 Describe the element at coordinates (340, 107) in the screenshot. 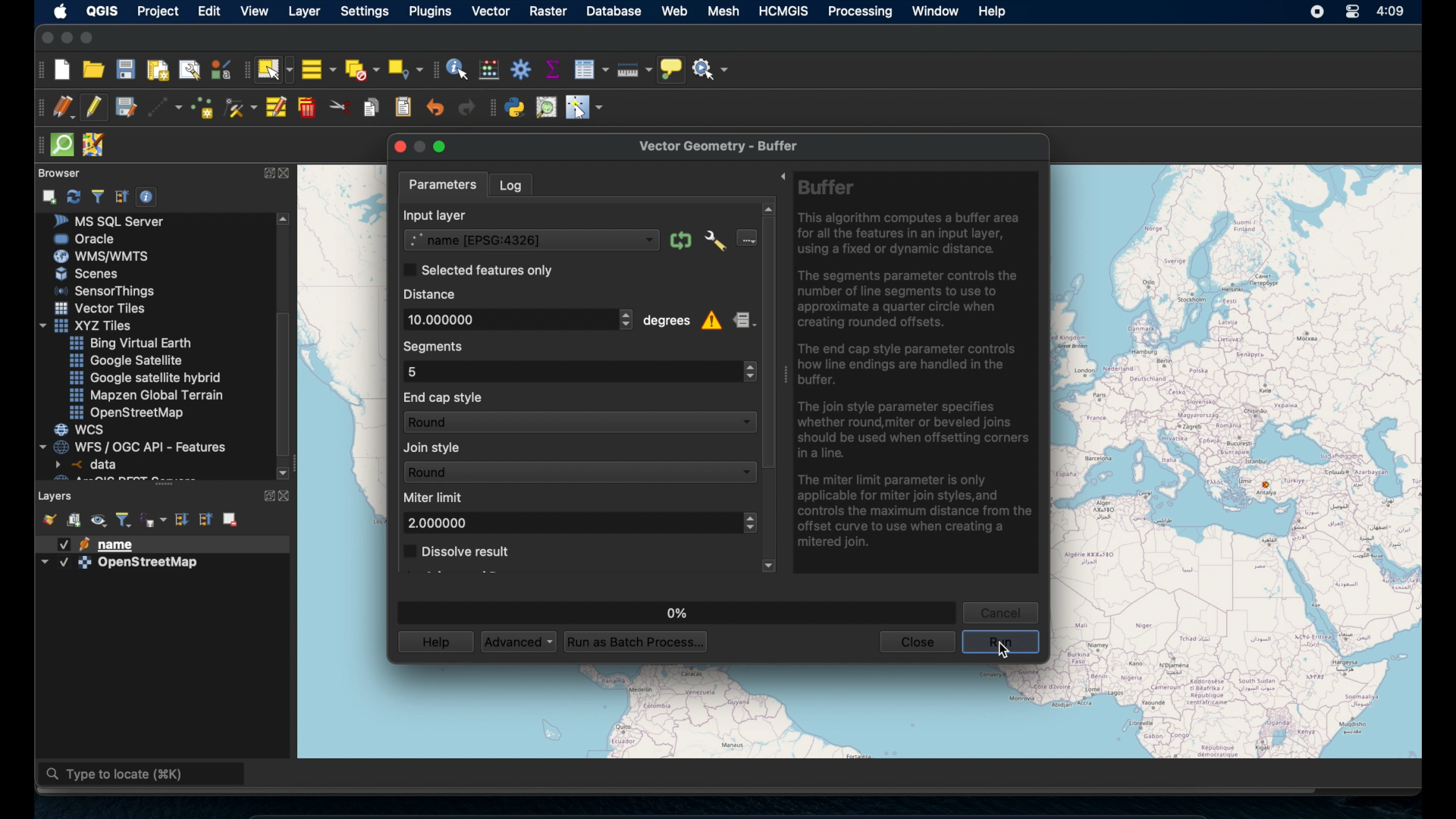

I see `cut features` at that location.